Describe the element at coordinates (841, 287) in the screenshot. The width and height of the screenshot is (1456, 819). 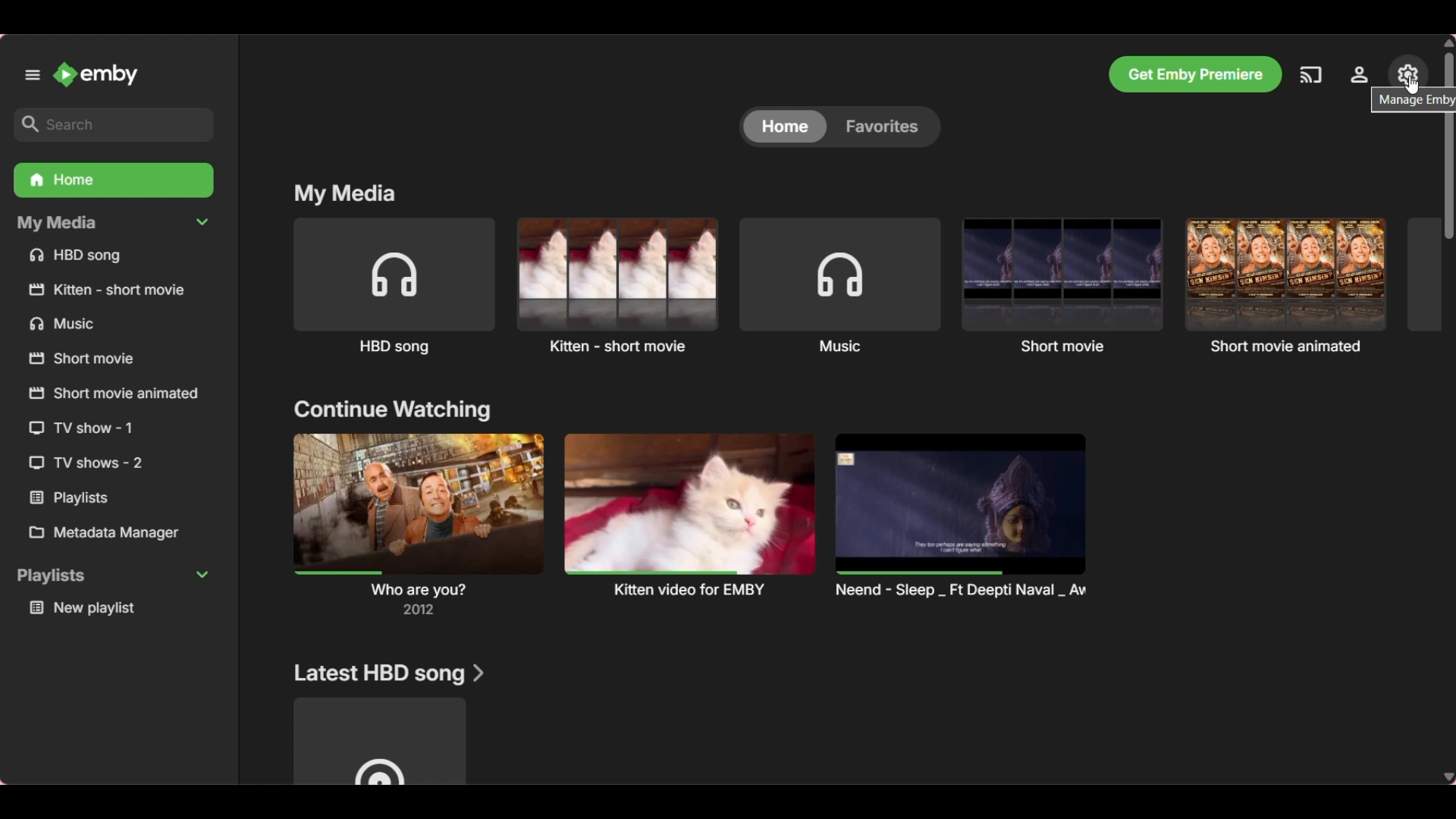
I see `Music album` at that location.